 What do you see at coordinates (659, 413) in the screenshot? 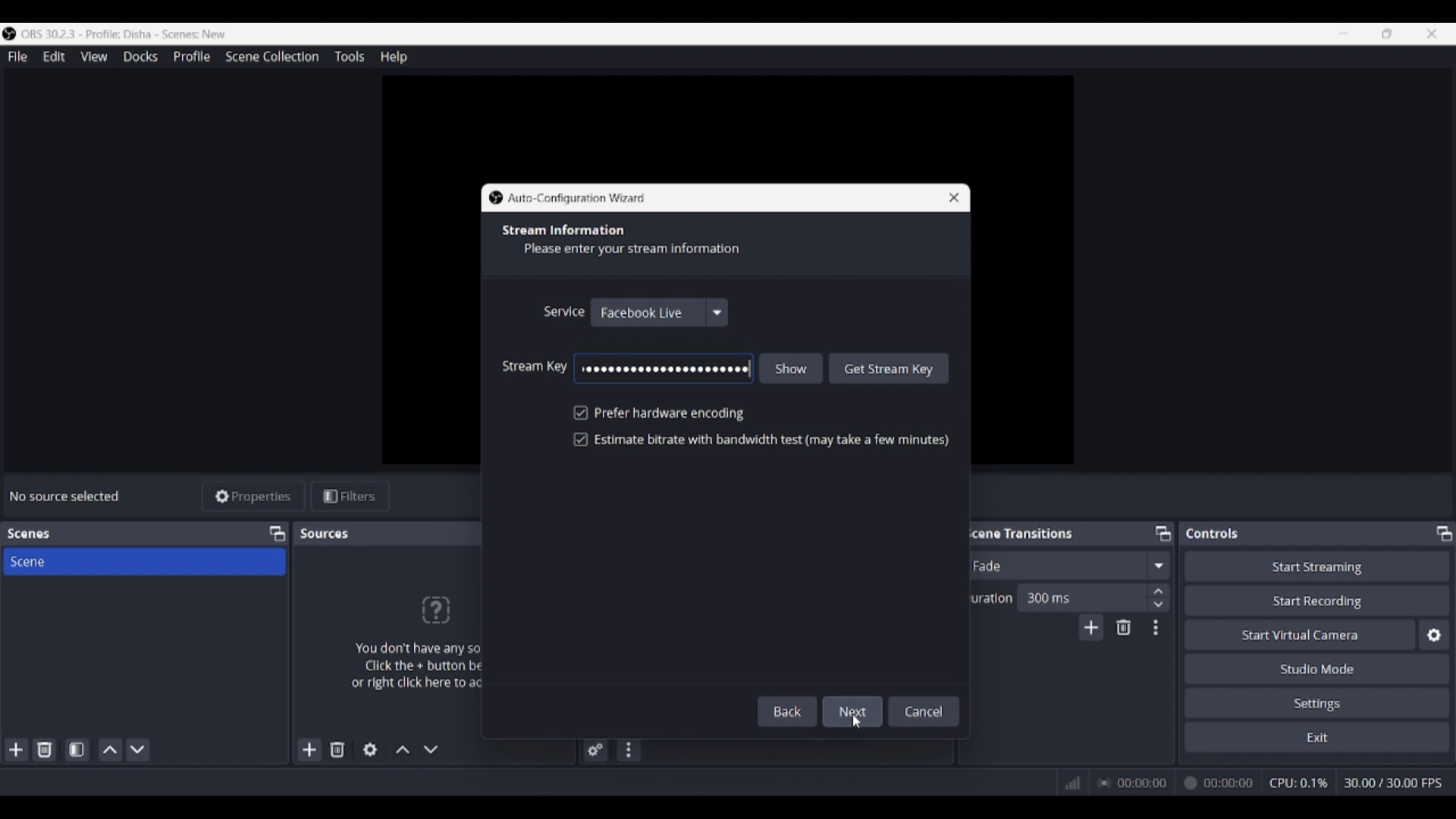
I see `Toggle for hardware encoding` at bounding box center [659, 413].